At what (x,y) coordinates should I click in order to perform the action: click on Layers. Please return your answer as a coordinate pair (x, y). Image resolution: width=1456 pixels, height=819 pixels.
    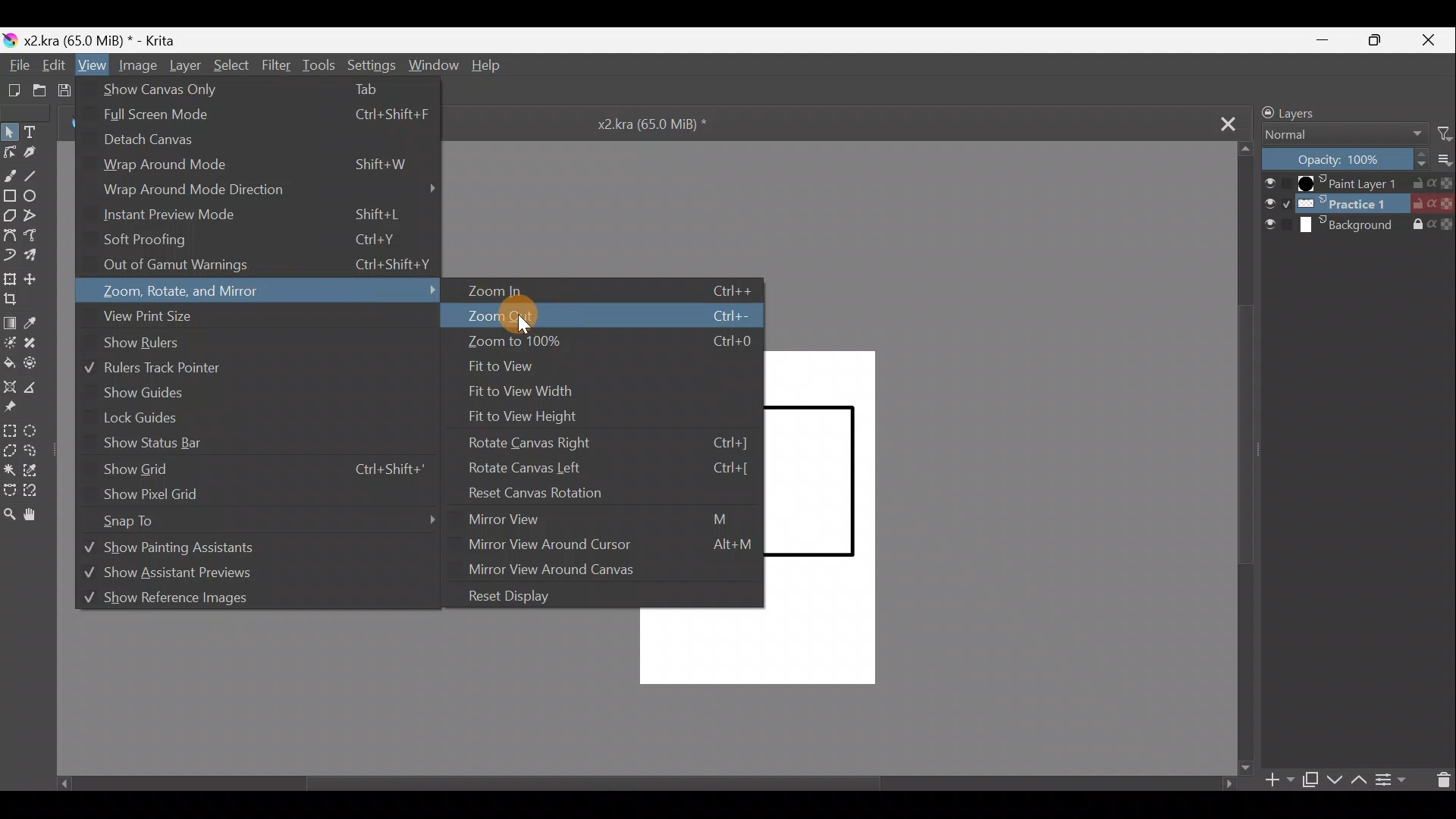
    Looking at the image, I should click on (1325, 111).